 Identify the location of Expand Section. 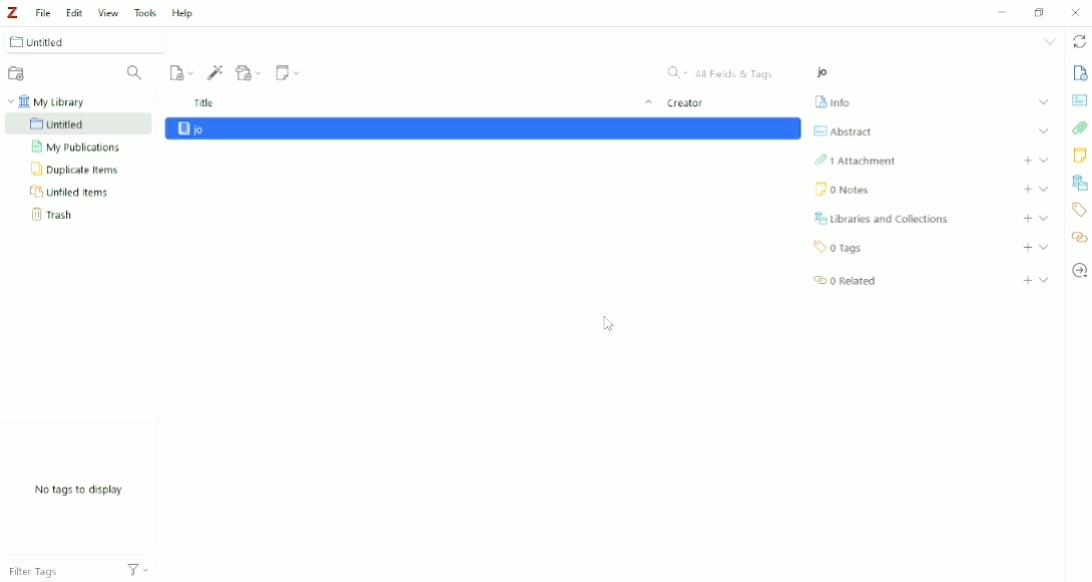
(1044, 133).